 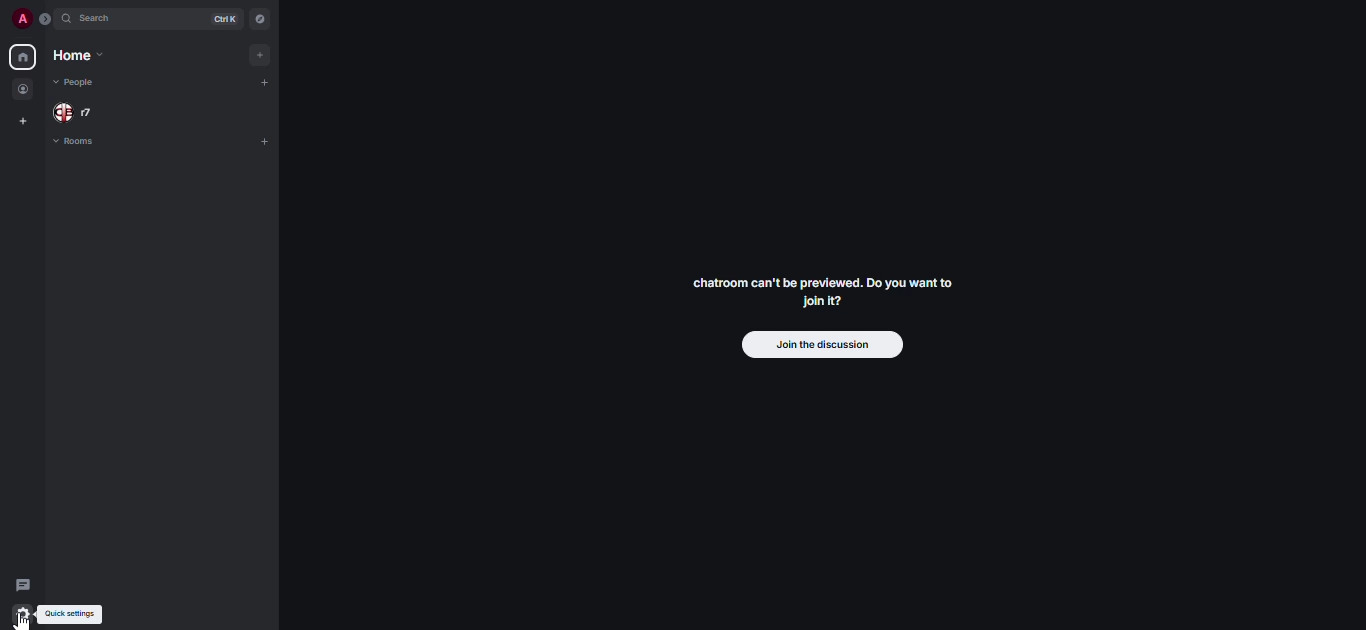 I want to click on people, so click(x=74, y=81).